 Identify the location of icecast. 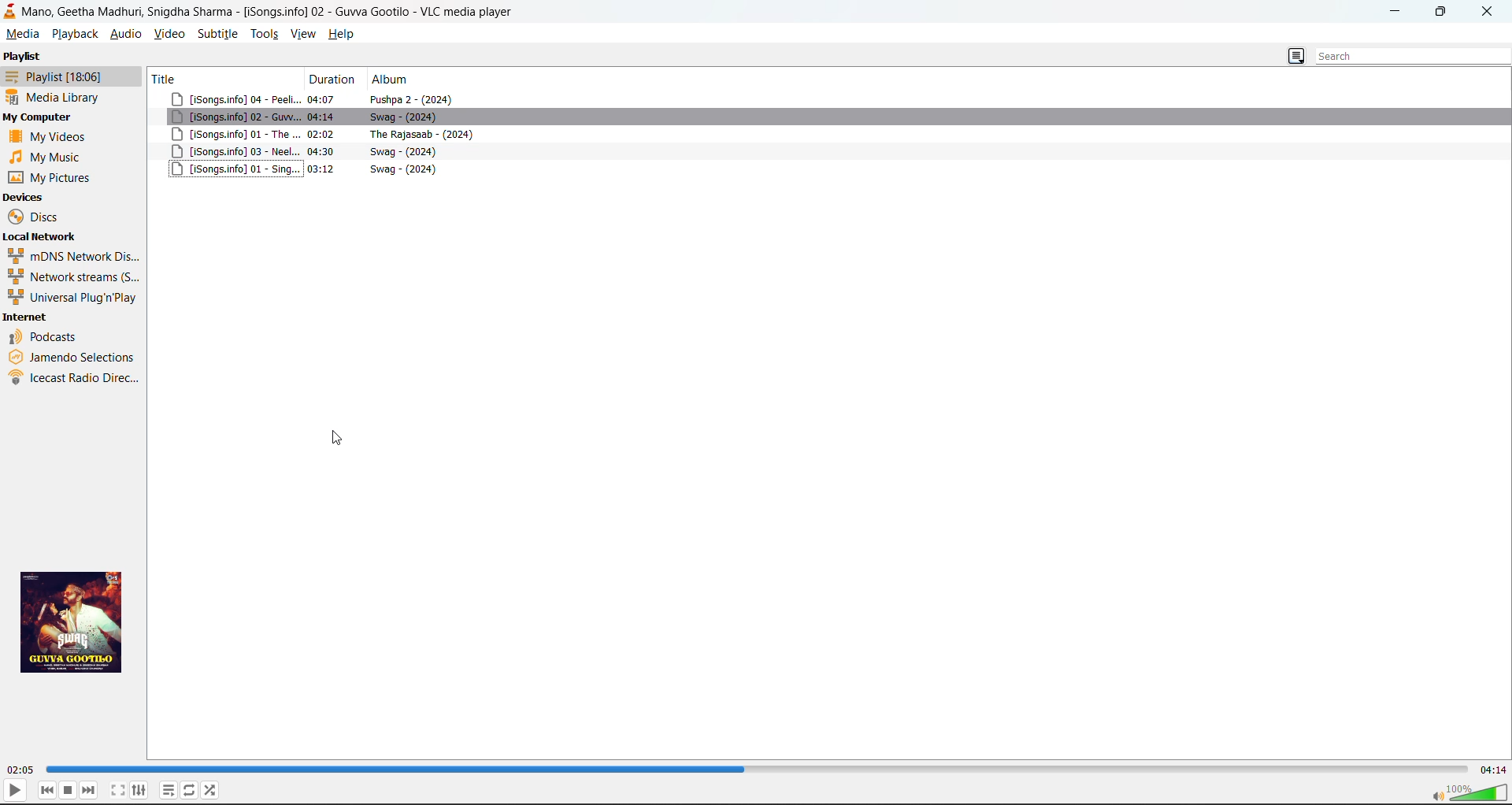
(76, 380).